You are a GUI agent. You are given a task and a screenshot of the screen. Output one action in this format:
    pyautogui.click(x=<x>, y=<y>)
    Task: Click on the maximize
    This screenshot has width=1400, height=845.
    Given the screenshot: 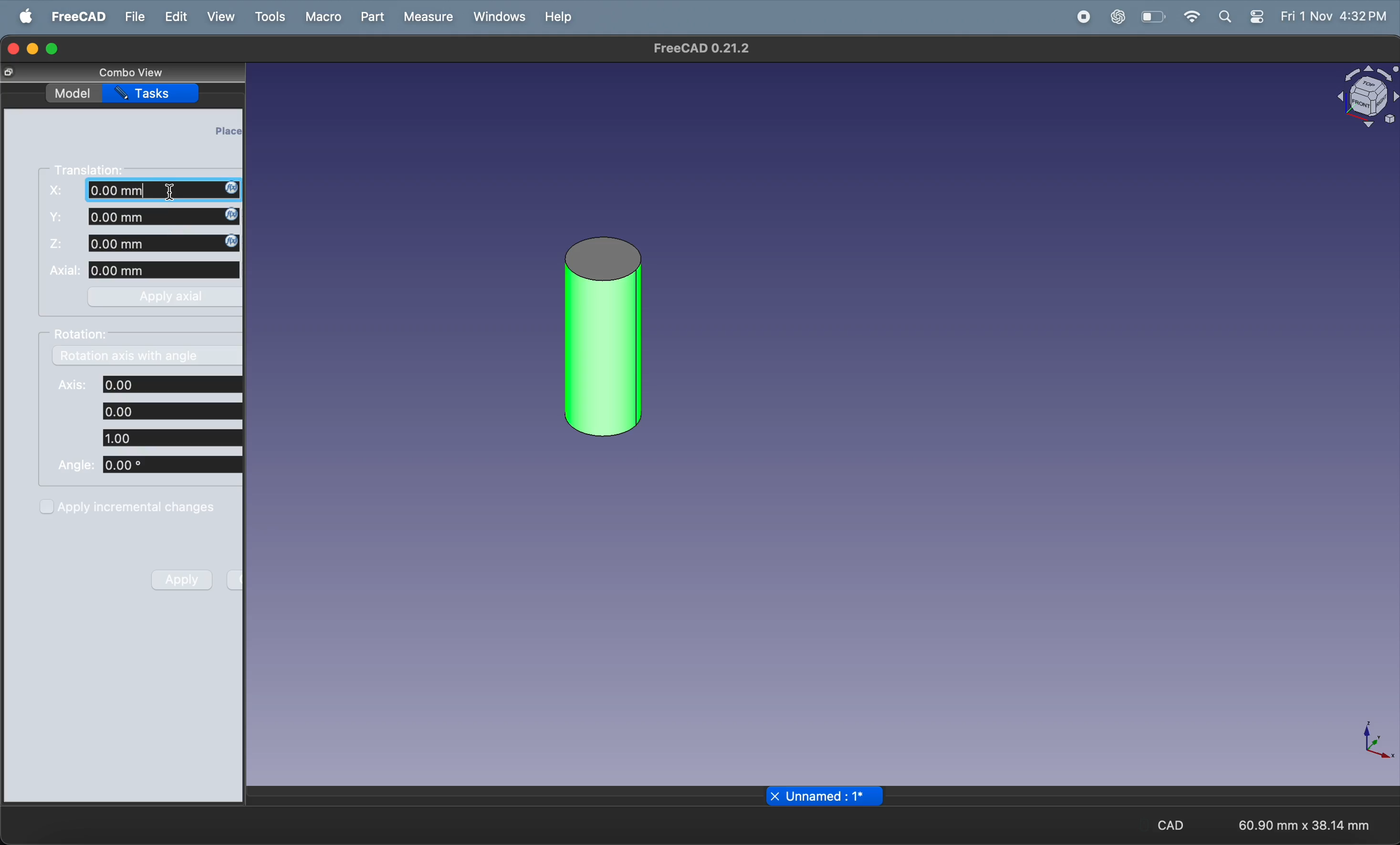 What is the action you would take?
    pyautogui.click(x=56, y=48)
    